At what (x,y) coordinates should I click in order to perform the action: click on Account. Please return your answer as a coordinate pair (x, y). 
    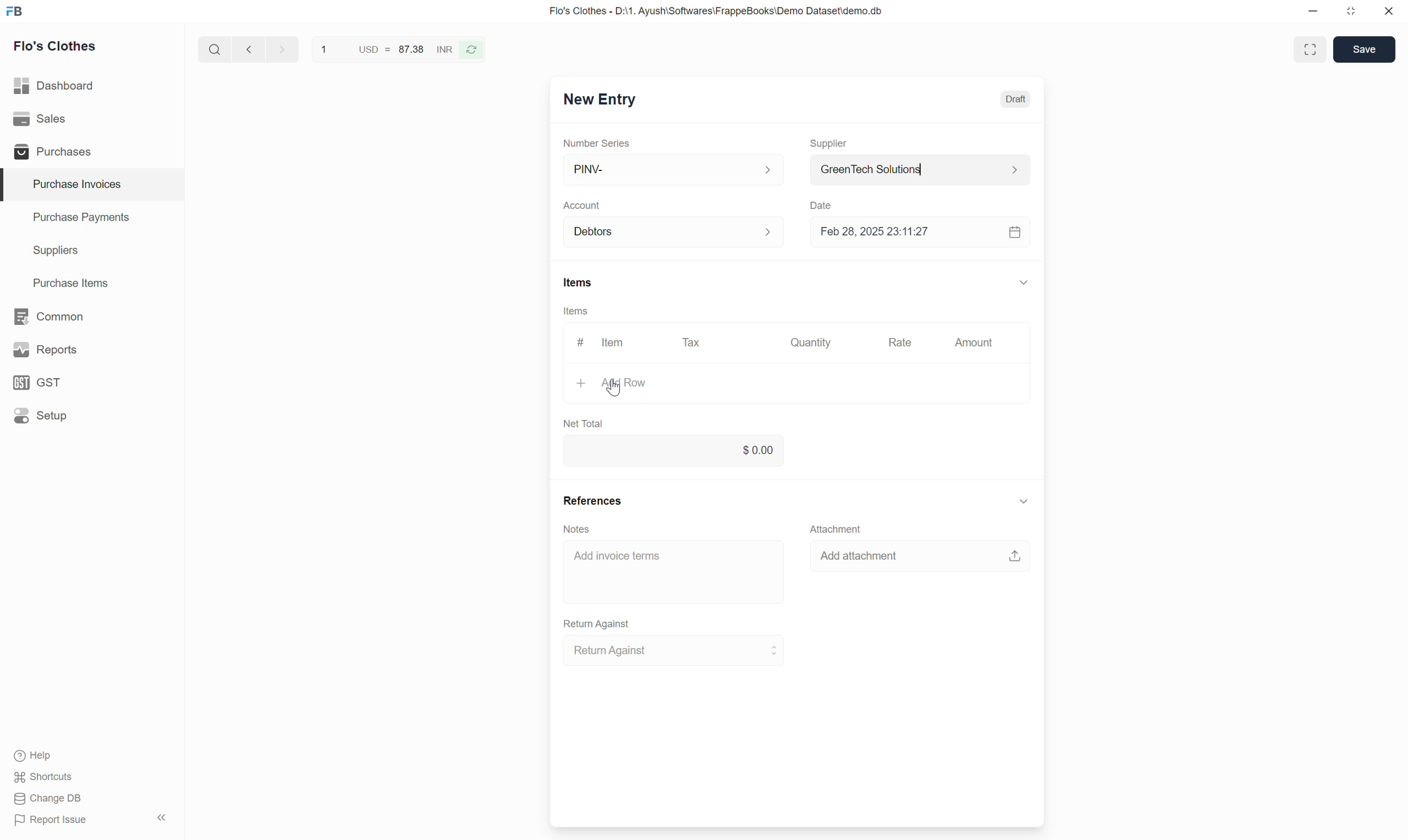
    Looking at the image, I should click on (583, 206).